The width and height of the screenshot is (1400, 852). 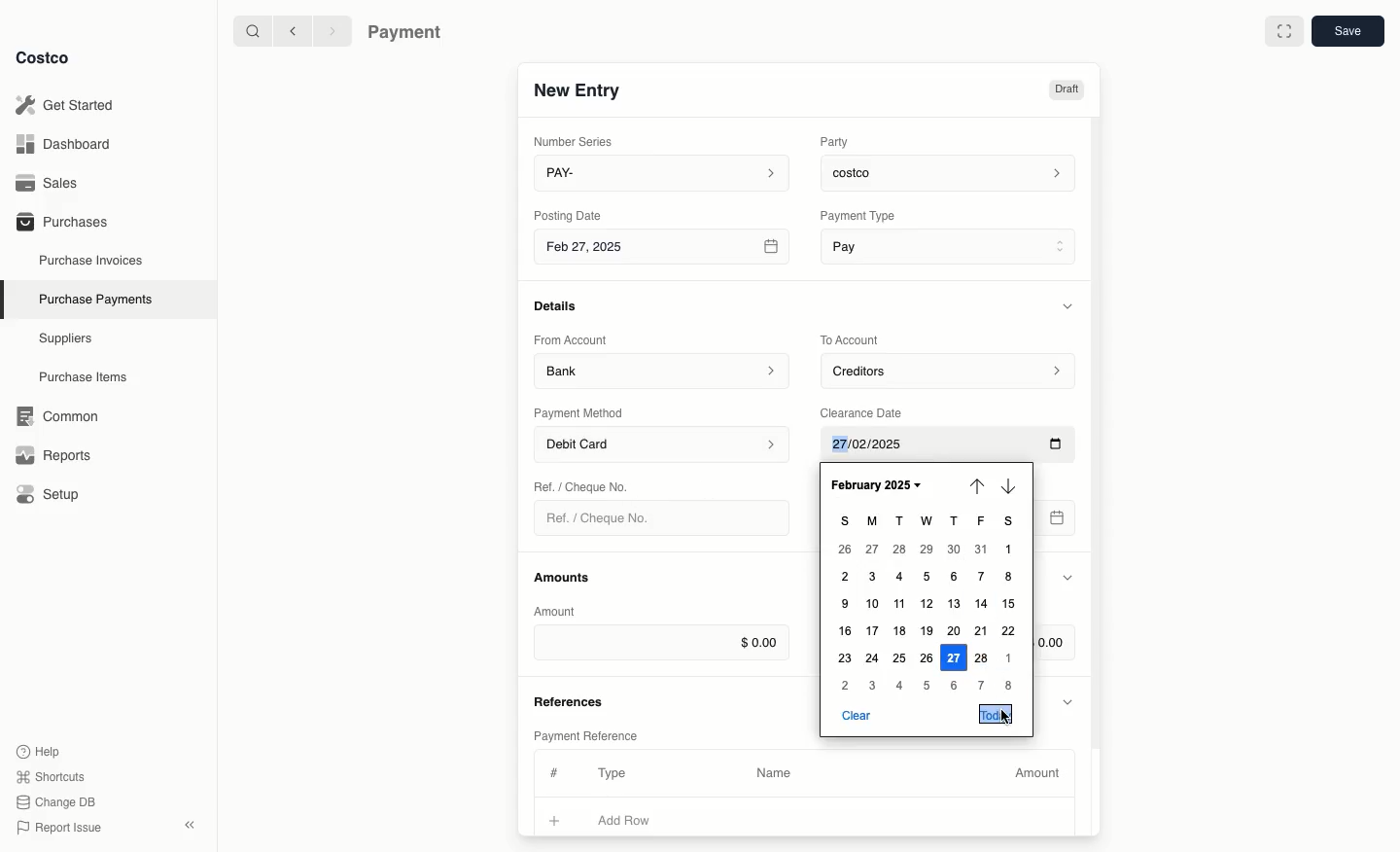 What do you see at coordinates (606, 518) in the screenshot?
I see `Ref. / Cheque No.` at bounding box center [606, 518].